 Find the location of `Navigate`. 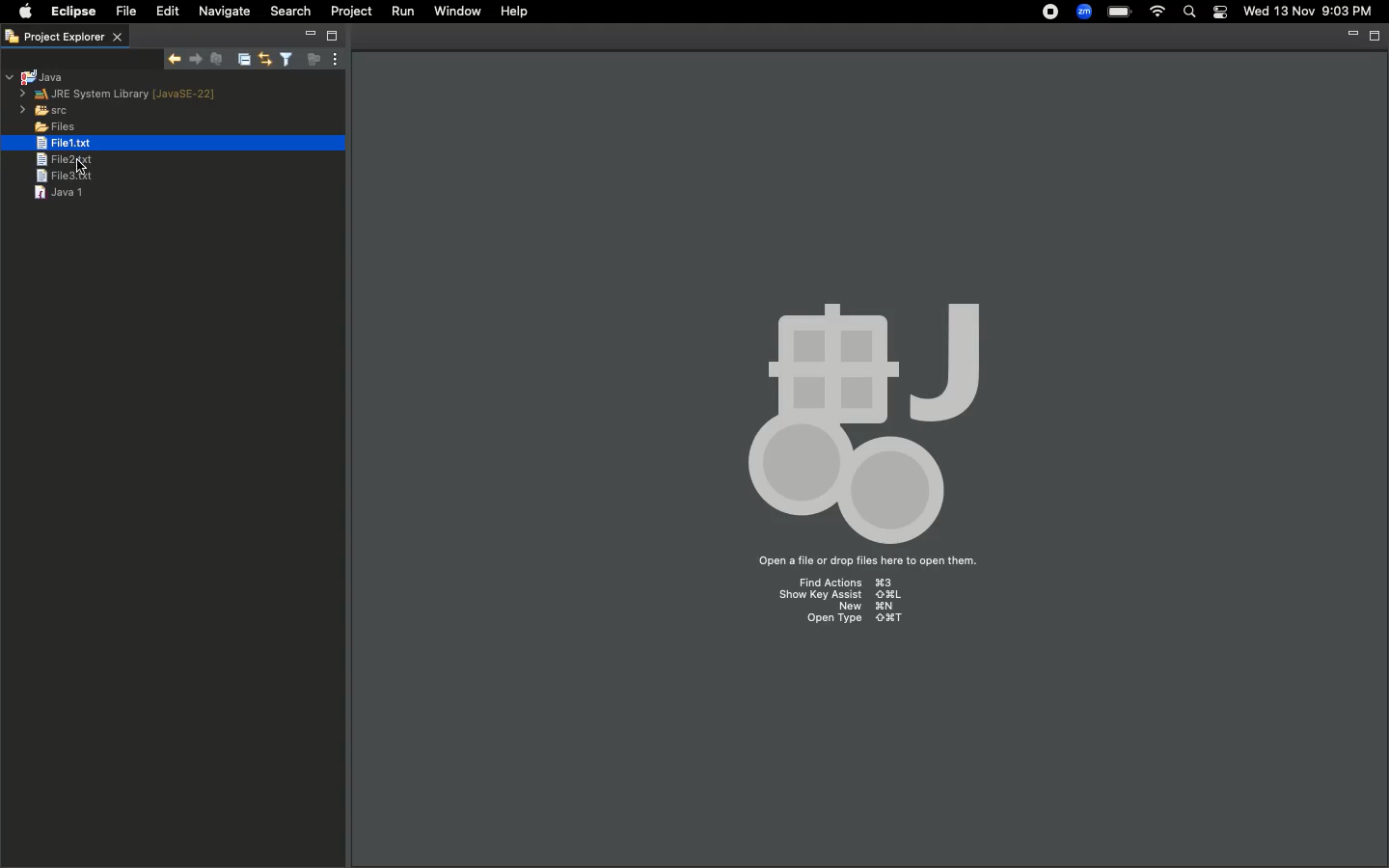

Navigate is located at coordinates (225, 12).